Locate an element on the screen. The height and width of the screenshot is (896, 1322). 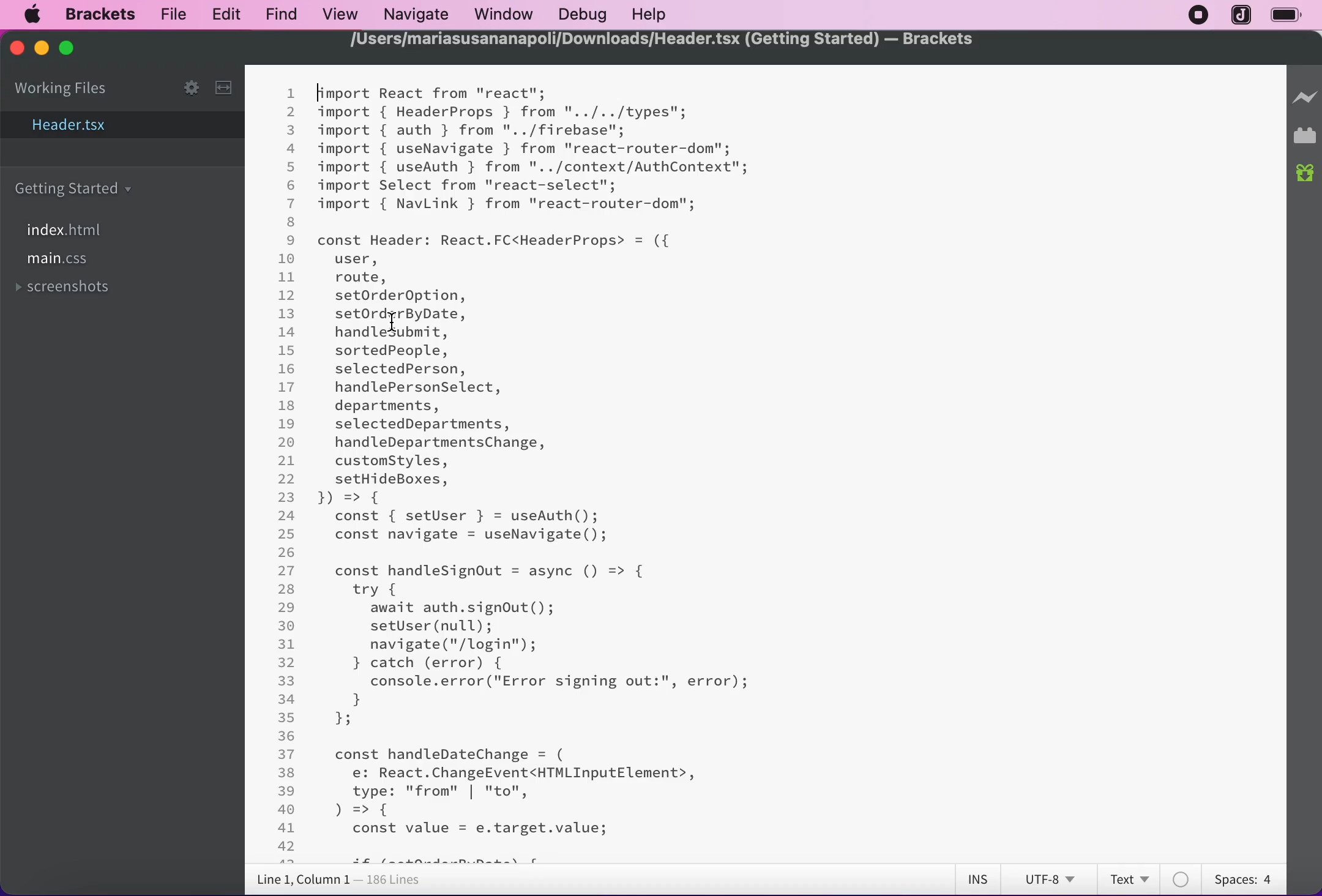
5 is located at coordinates (290, 166).